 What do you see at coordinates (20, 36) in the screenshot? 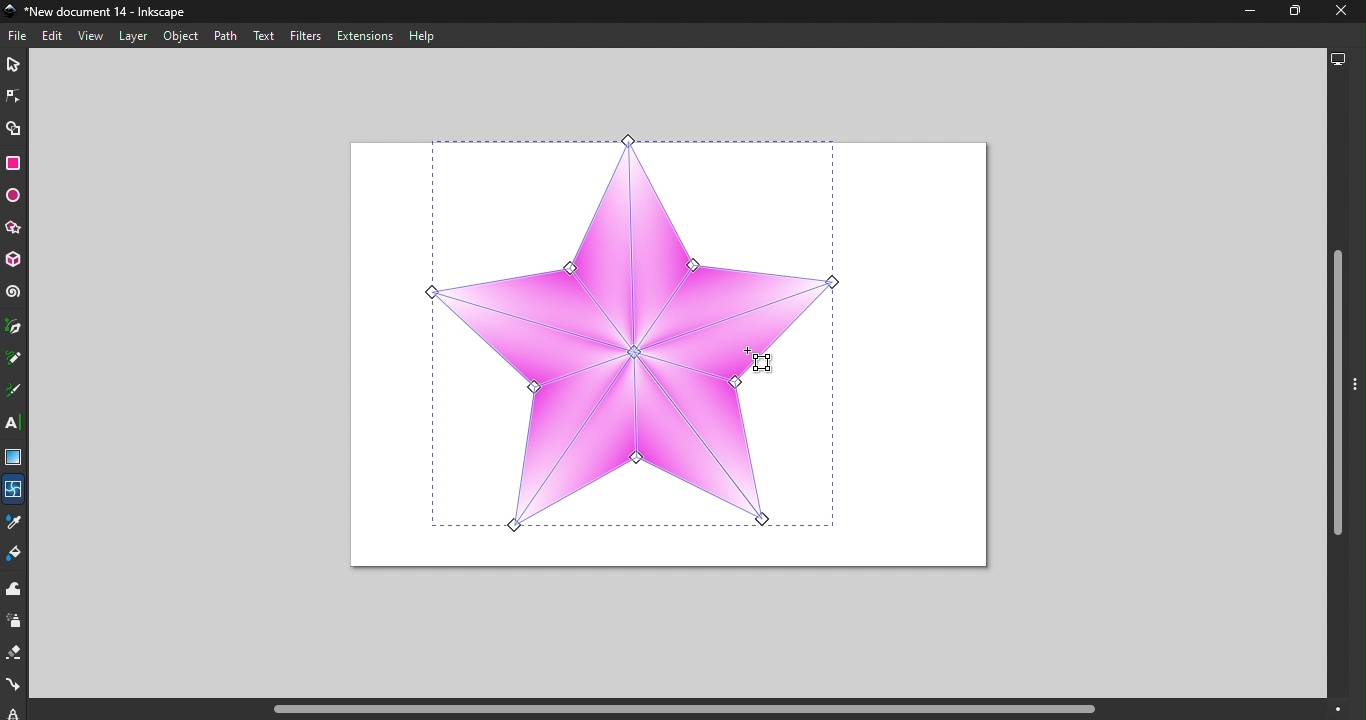
I see `File` at bounding box center [20, 36].